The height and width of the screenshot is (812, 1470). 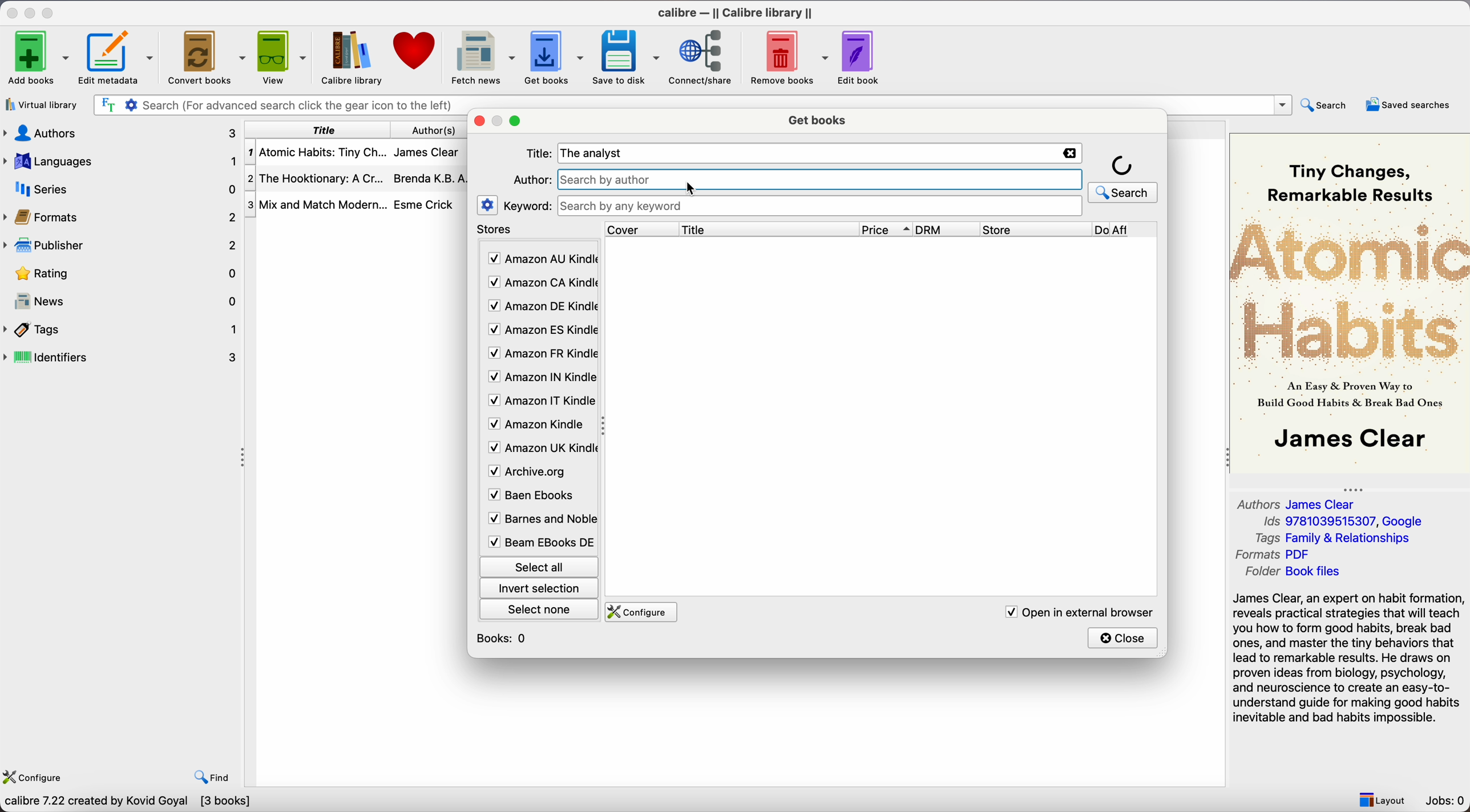 I want to click on Amazon UK Kindle, so click(x=539, y=450).